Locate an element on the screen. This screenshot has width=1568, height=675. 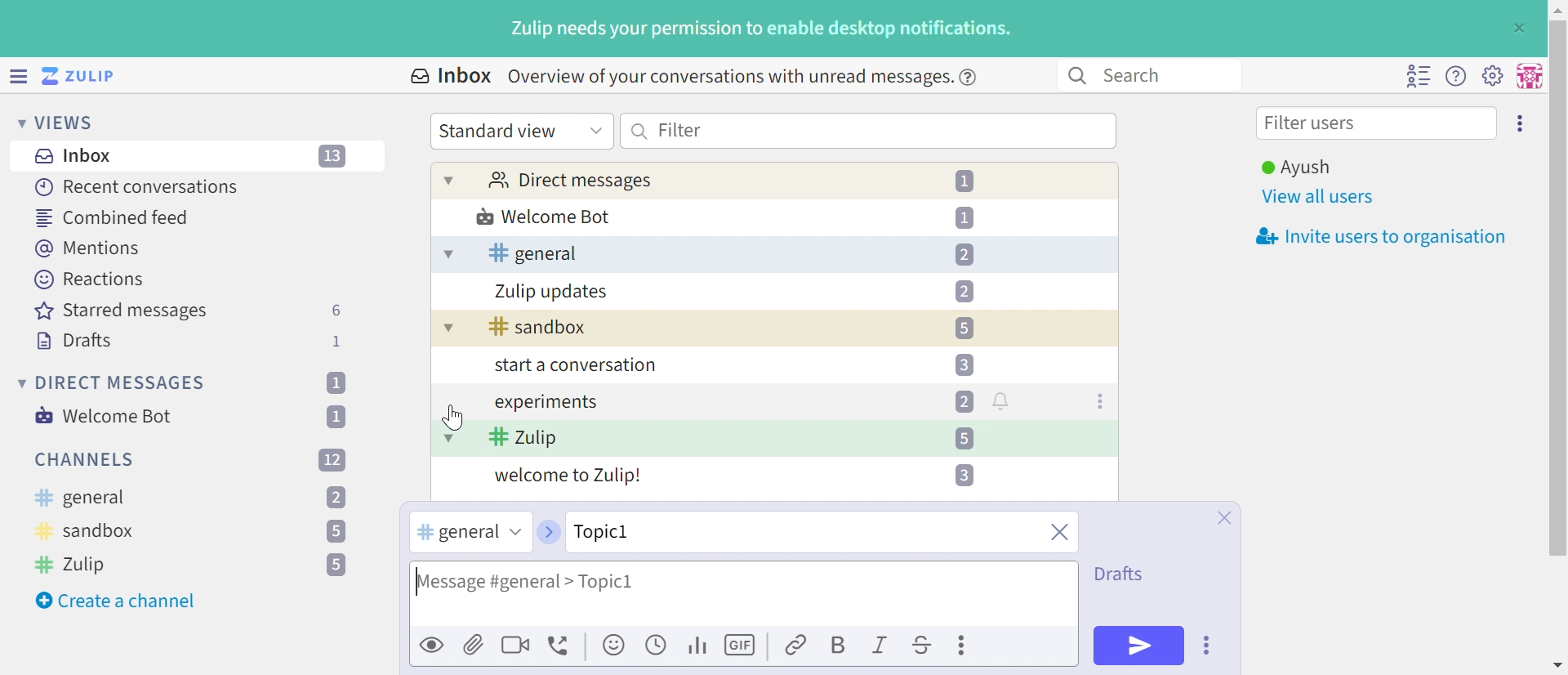
start a conversation is located at coordinates (572, 367).